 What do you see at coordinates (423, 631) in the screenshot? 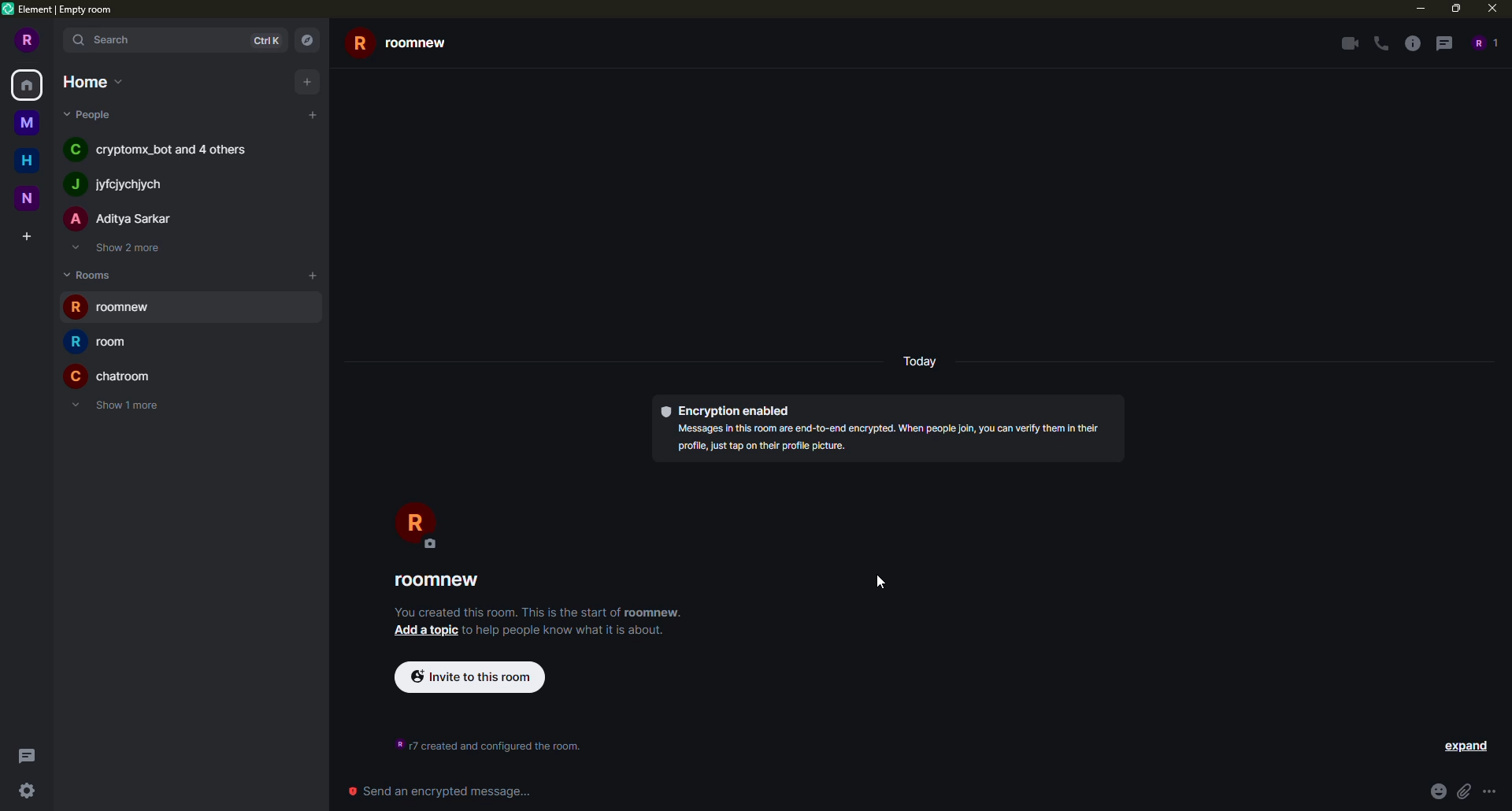
I see `add a topic` at bounding box center [423, 631].